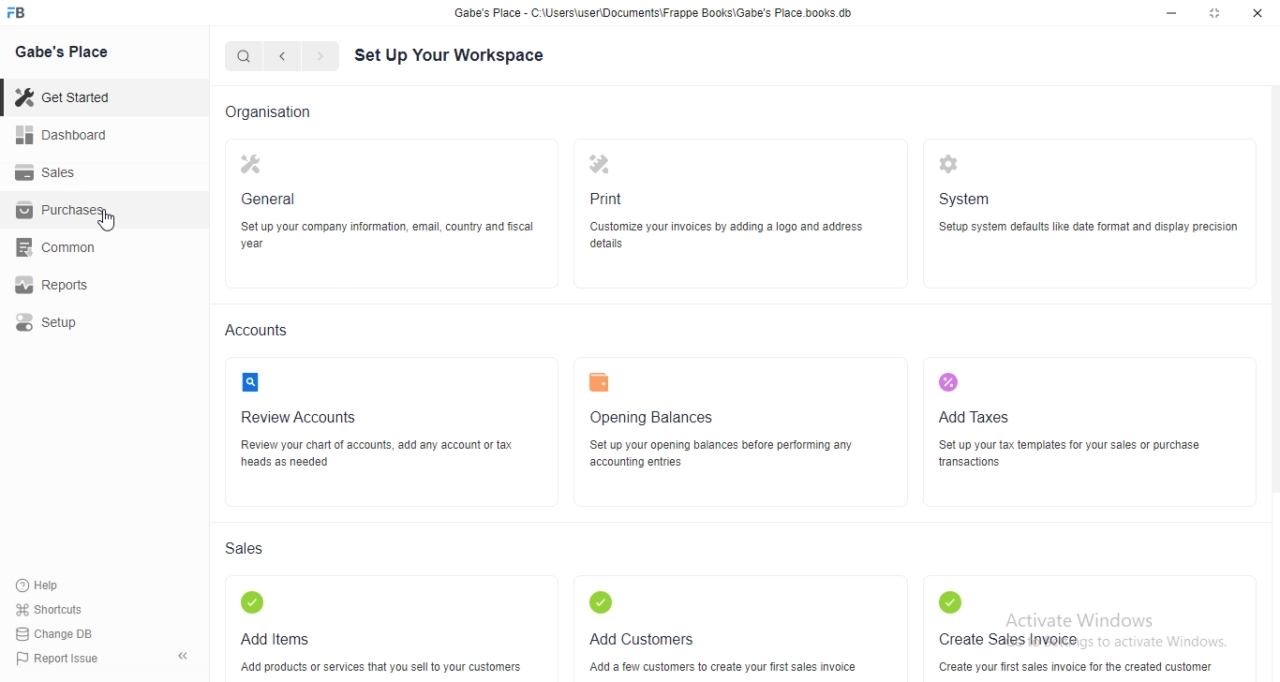 The image size is (1280, 682). What do you see at coordinates (726, 220) in the screenshot?
I see `Print Customize your invoices by adding a logo and address details.` at bounding box center [726, 220].